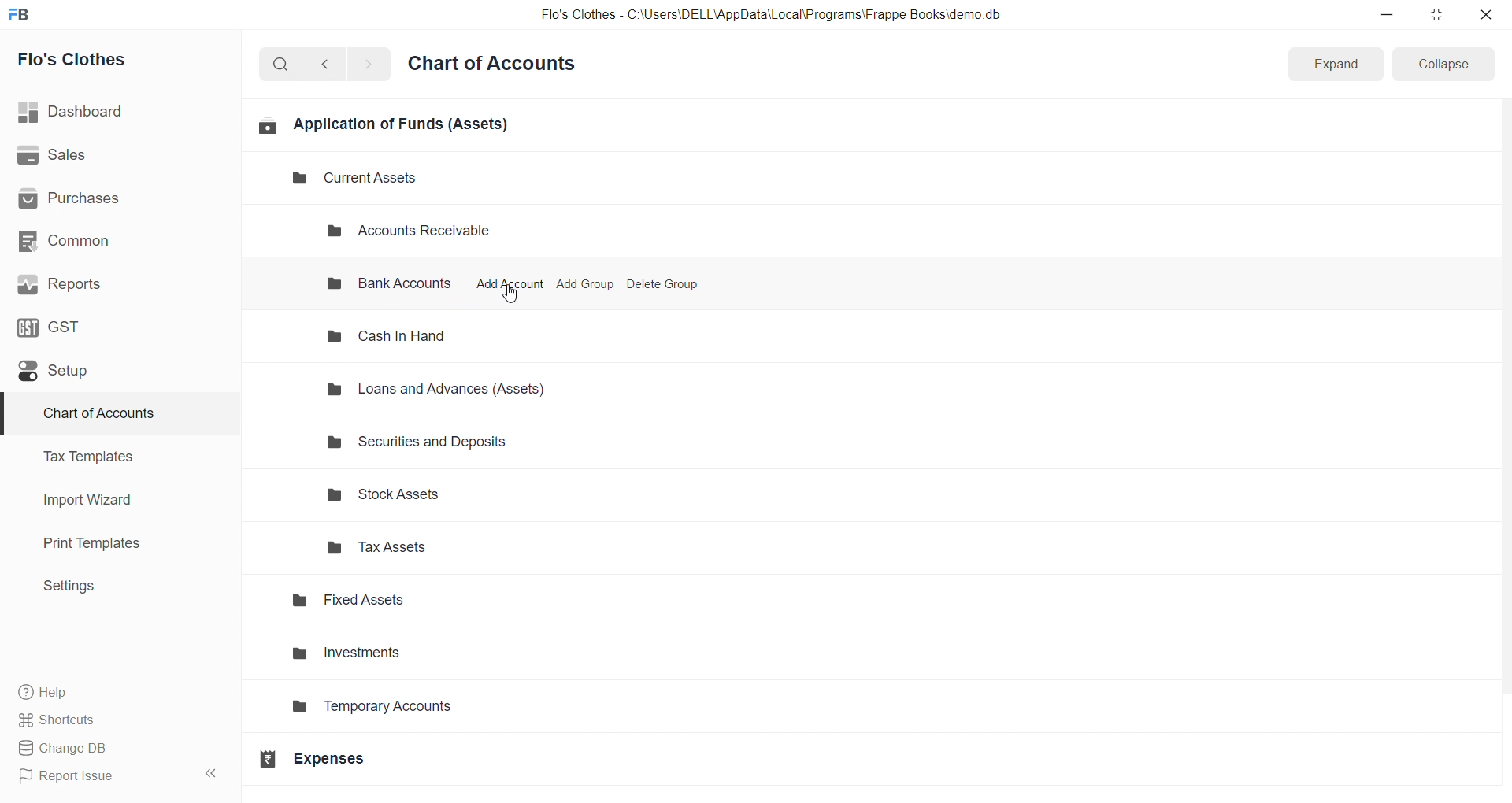 The height and width of the screenshot is (803, 1512). I want to click on Purchases, so click(113, 199).